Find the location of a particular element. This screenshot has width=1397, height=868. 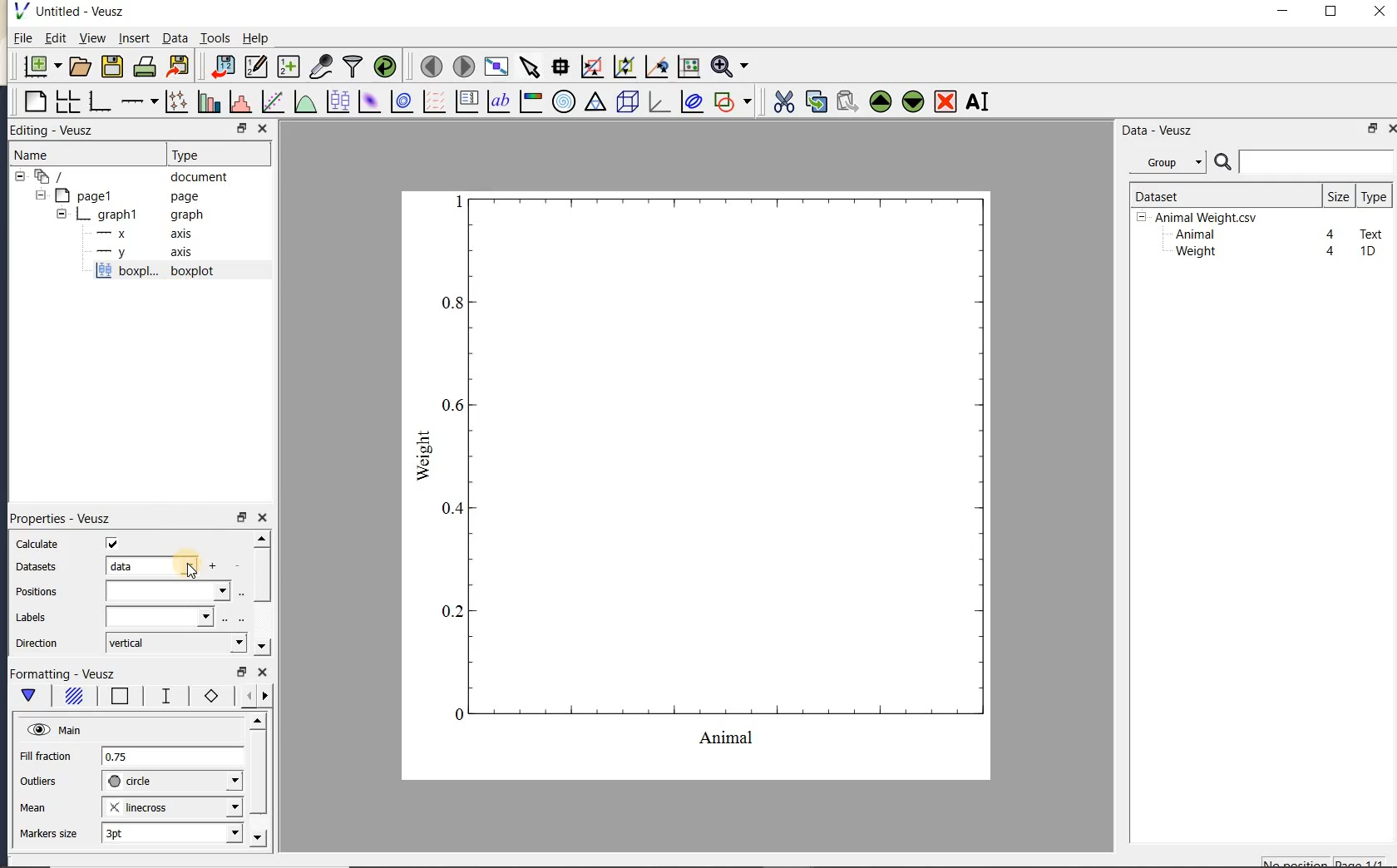

export to graphics format is located at coordinates (179, 65).